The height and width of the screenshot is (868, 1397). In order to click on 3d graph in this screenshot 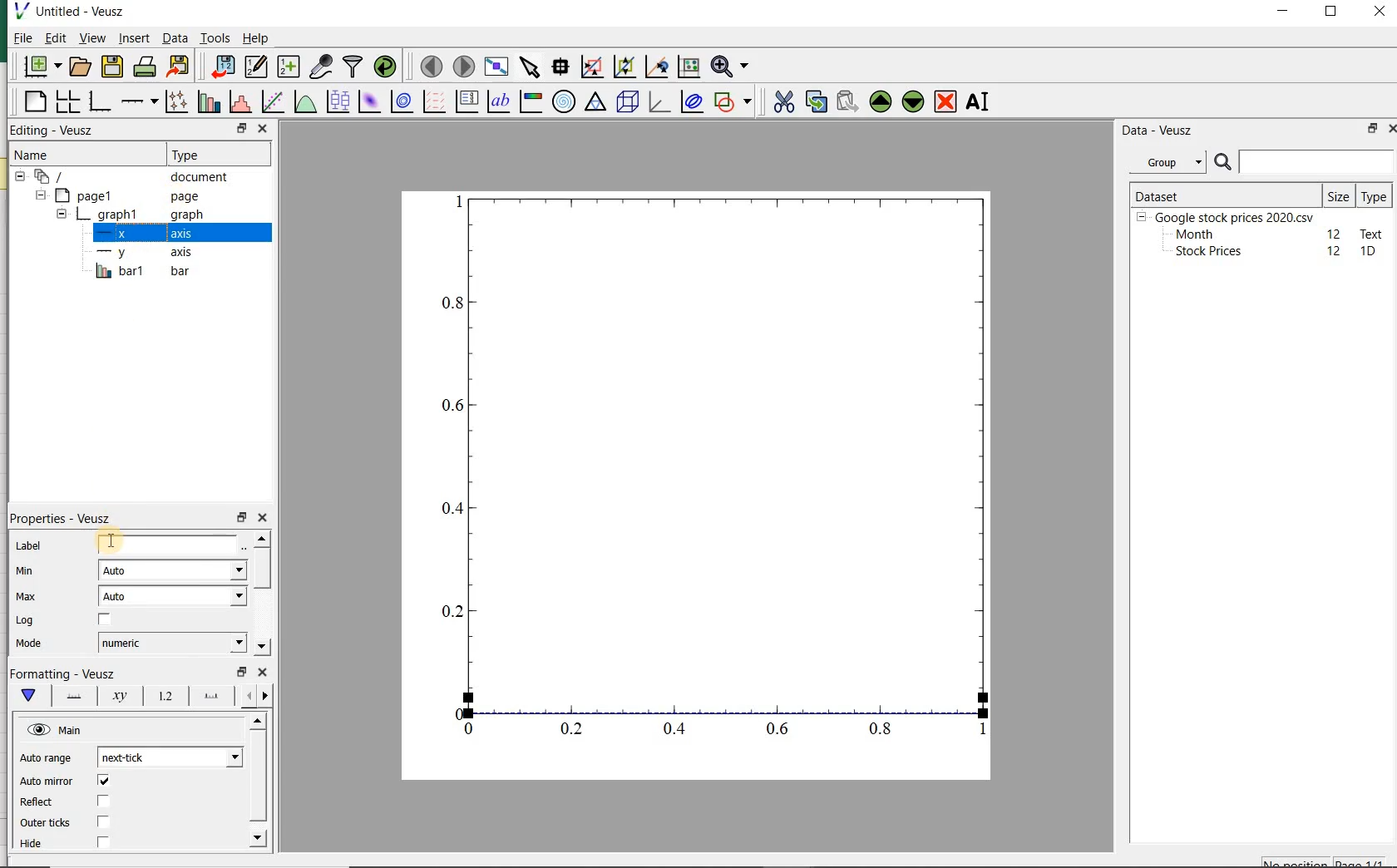, I will do `click(659, 103)`.